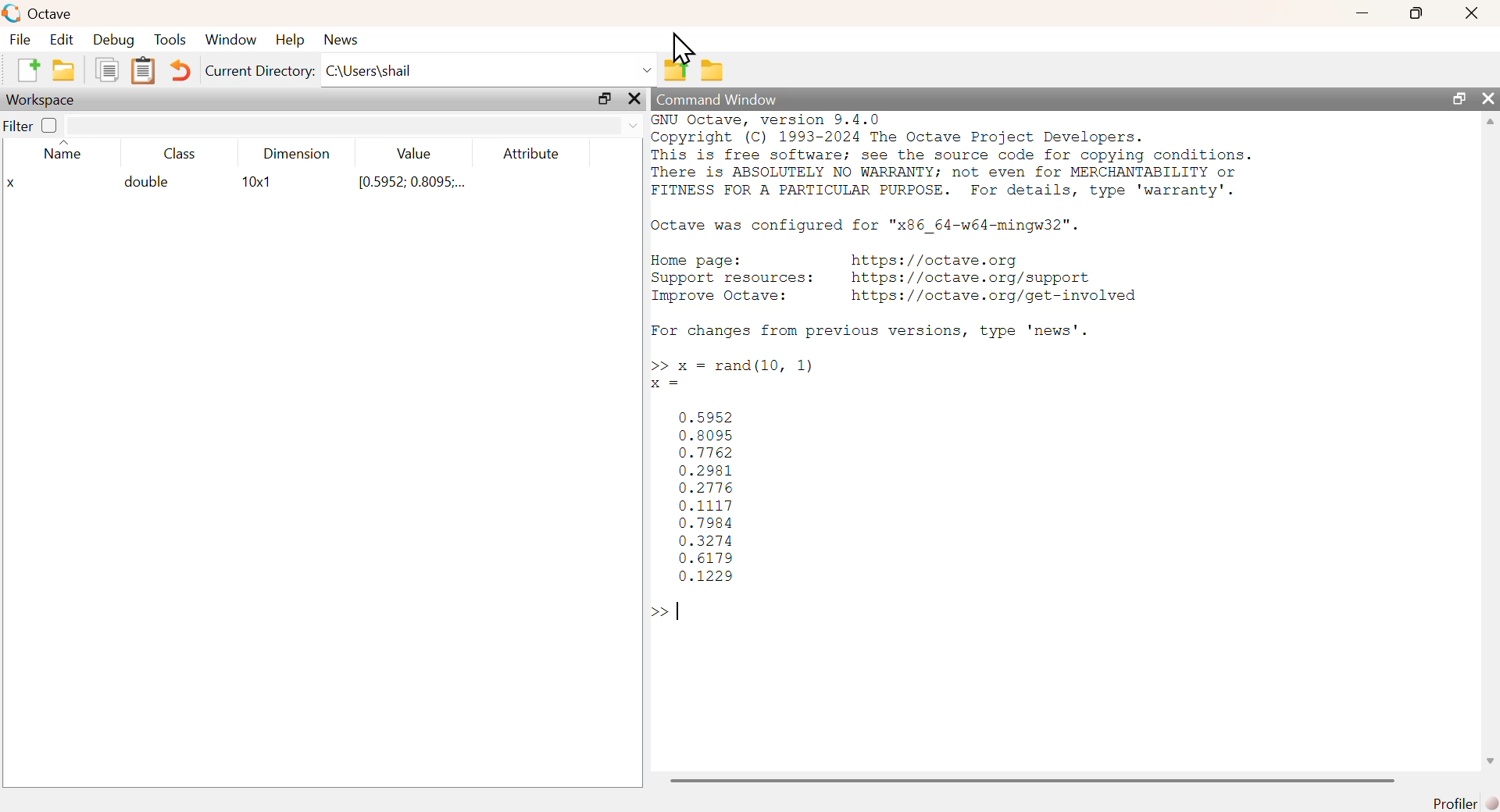  What do you see at coordinates (21, 40) in the screenshot?
I see `file` at bounding box center [21, 40].